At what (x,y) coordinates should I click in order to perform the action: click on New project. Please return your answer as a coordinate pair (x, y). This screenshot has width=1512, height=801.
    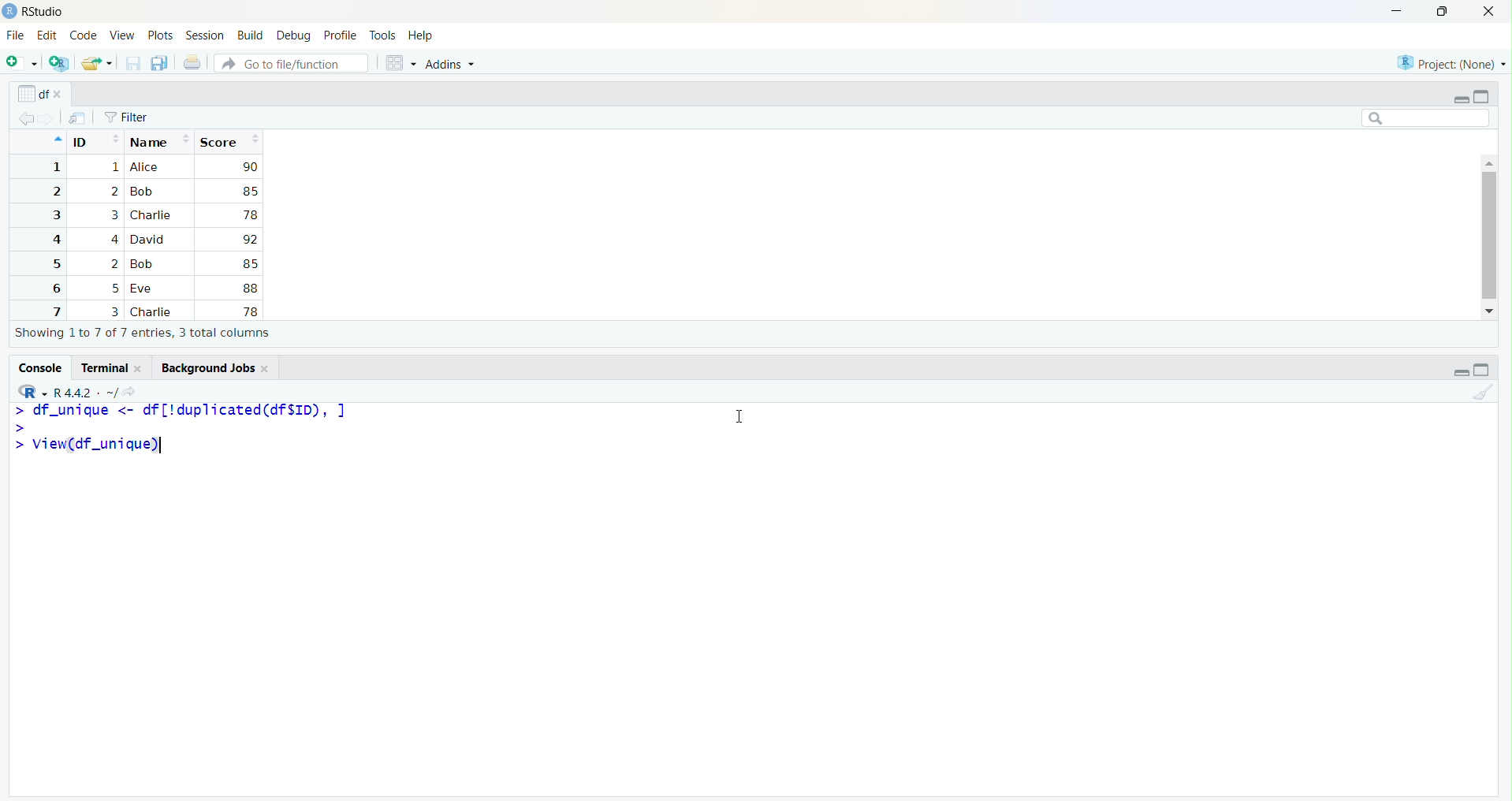
    Looking at the image, I should click on (60, 64).